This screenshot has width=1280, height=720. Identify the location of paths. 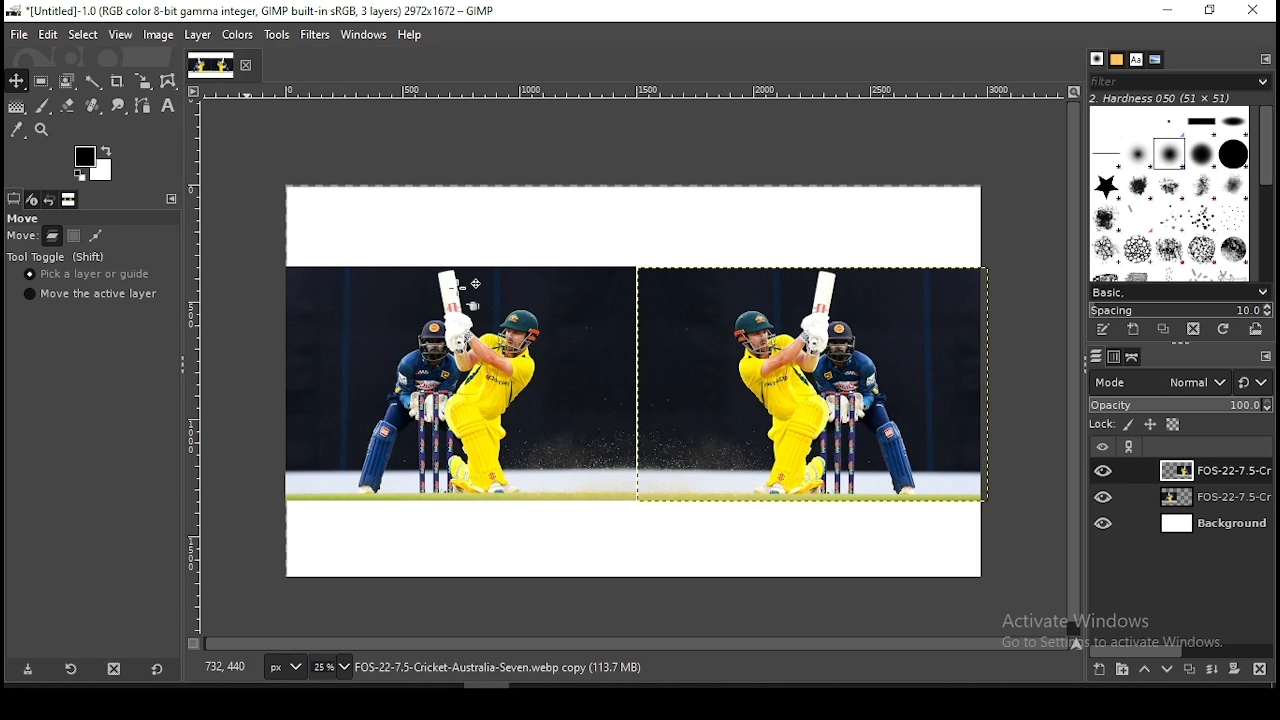
(1134, 357).